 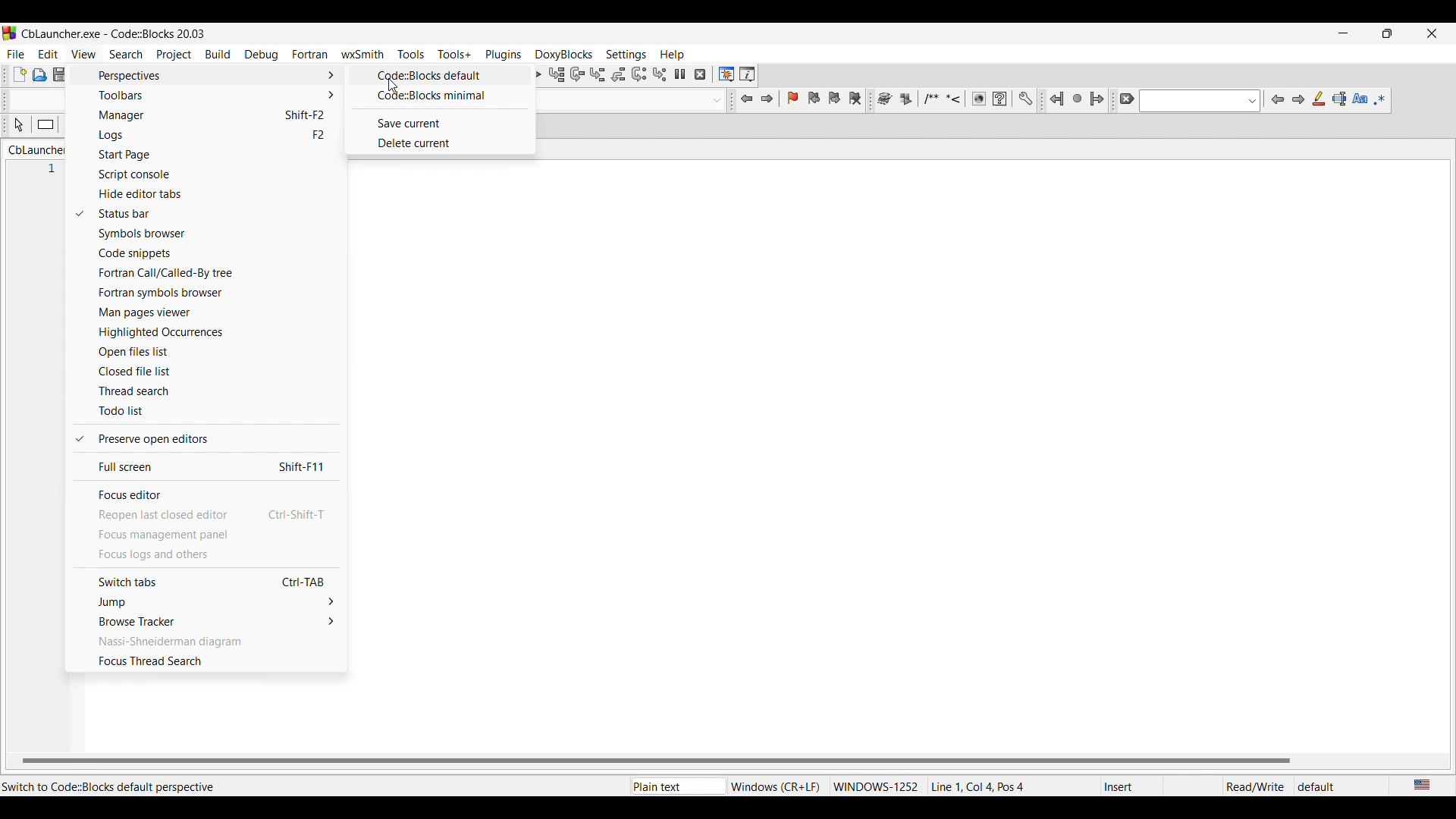 I want to click on Tools menu, so click(x=411, y=54).